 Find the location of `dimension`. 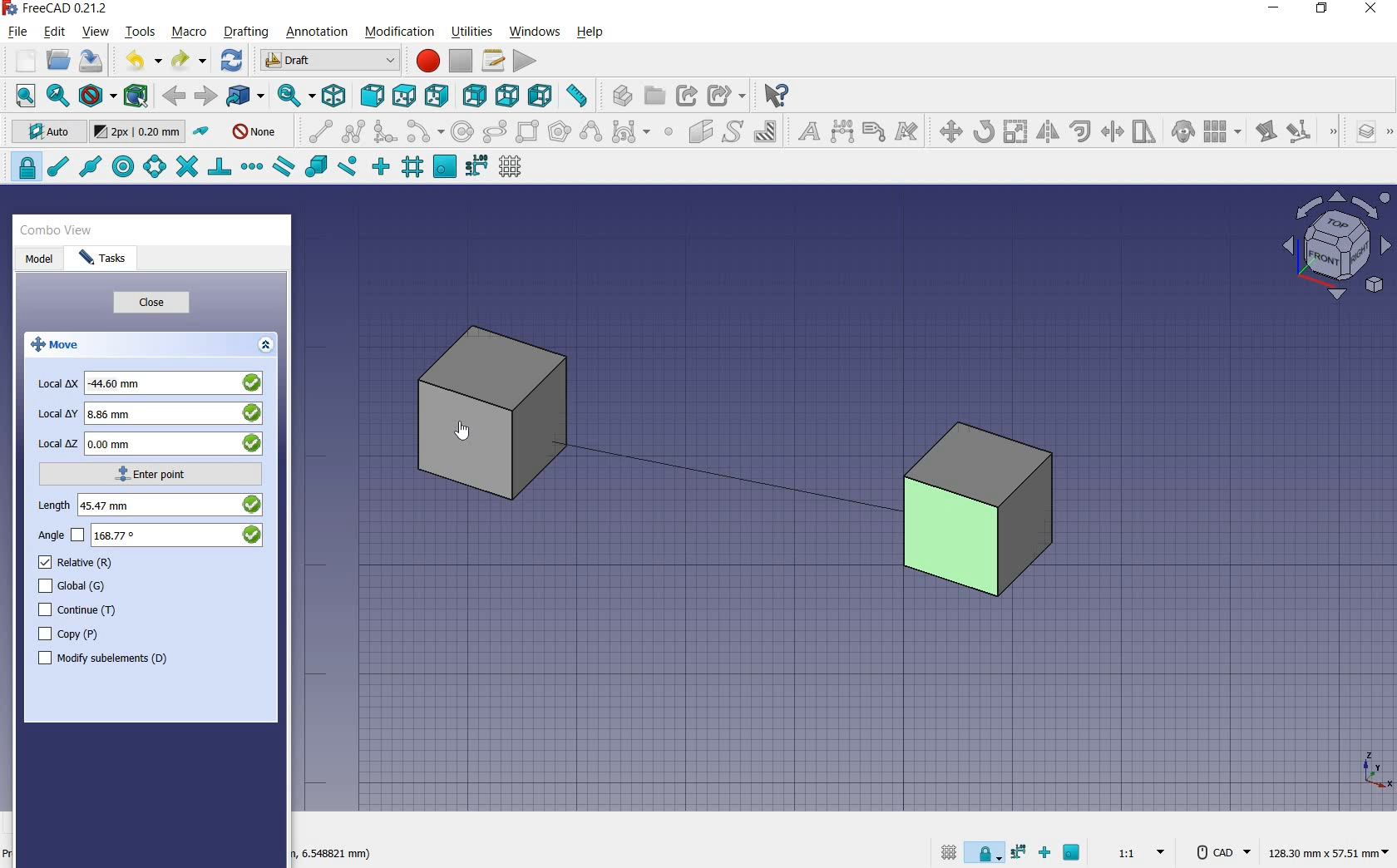

dimension is located at coordinates (1328, 851).